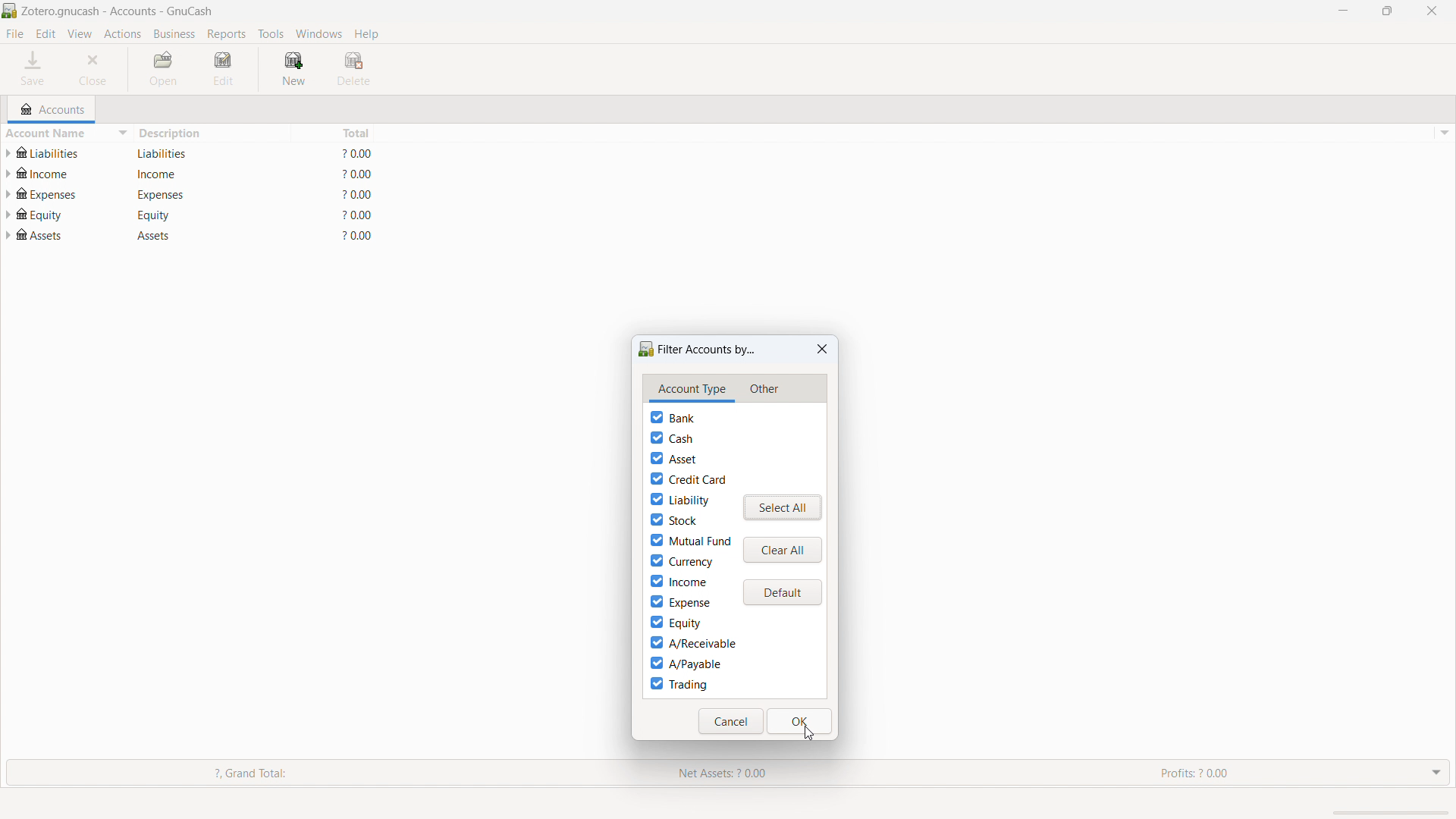 The image size is (1456, 819). What do you see at coordinates (1278, 772) in the screenshot?
I see `Profits: 2 0.00` at bounding box center [1278, 772].